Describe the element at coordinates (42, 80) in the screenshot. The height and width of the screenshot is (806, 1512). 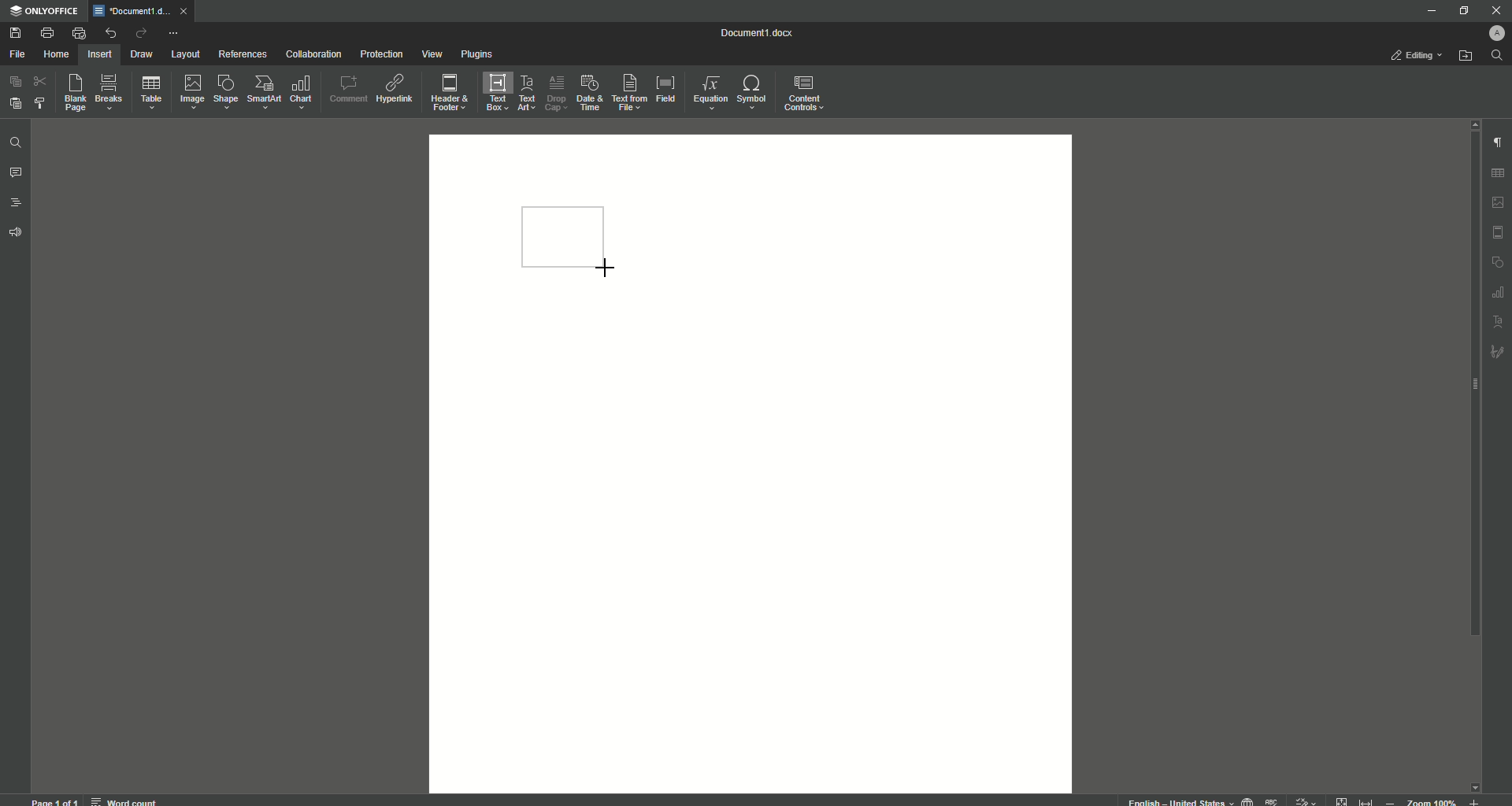
I see `Cut` at that location.